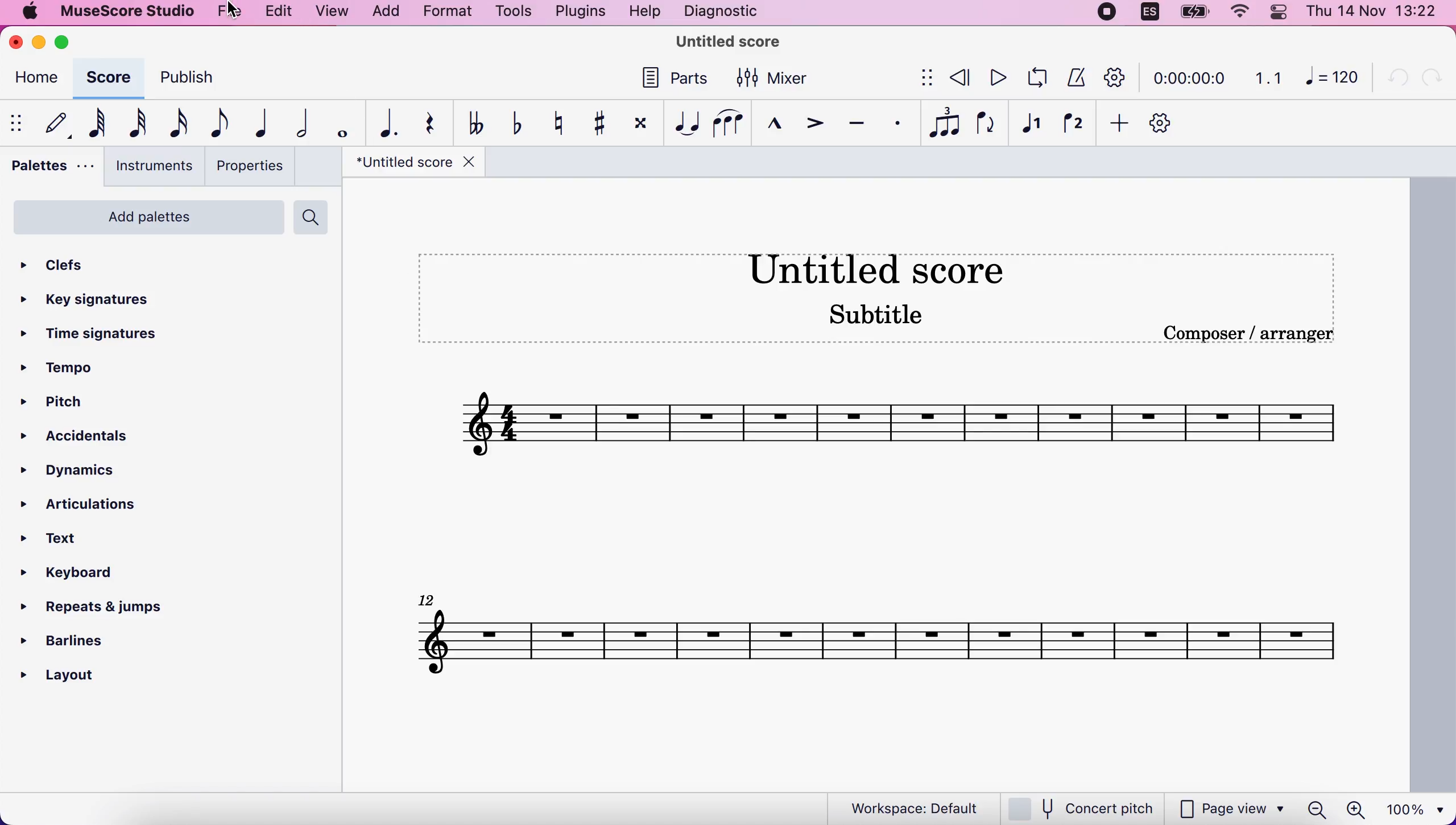 Image resolution: width=1456 pixels, height=825 pixels. Describe the element at coordinates (1376, 14) in the screenshot. I see `time and date` at that location.